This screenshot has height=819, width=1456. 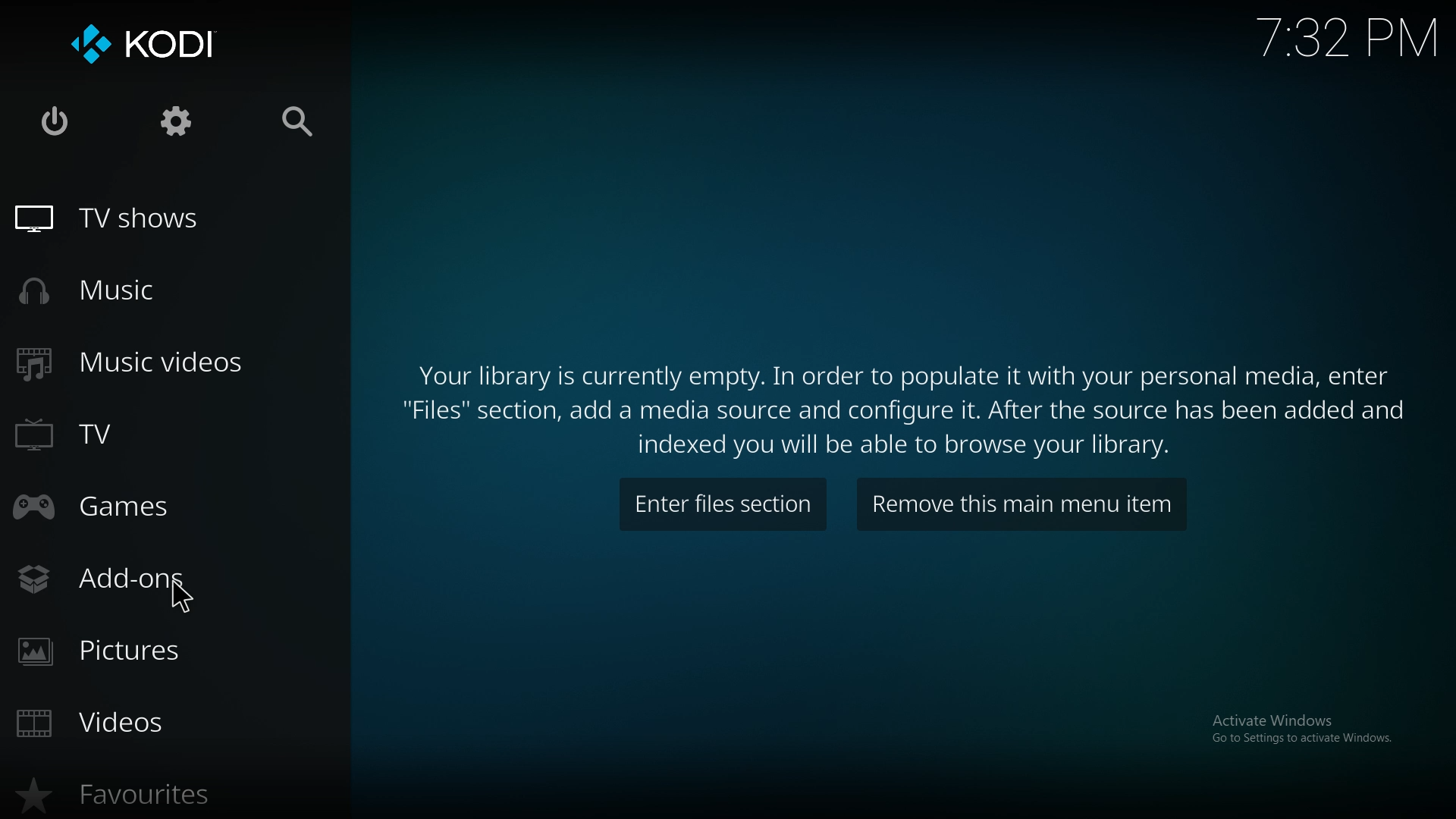 What do you see at coordinates (127, 723) in the screenshot?
I see `videos` at bounding box center [127, 723].